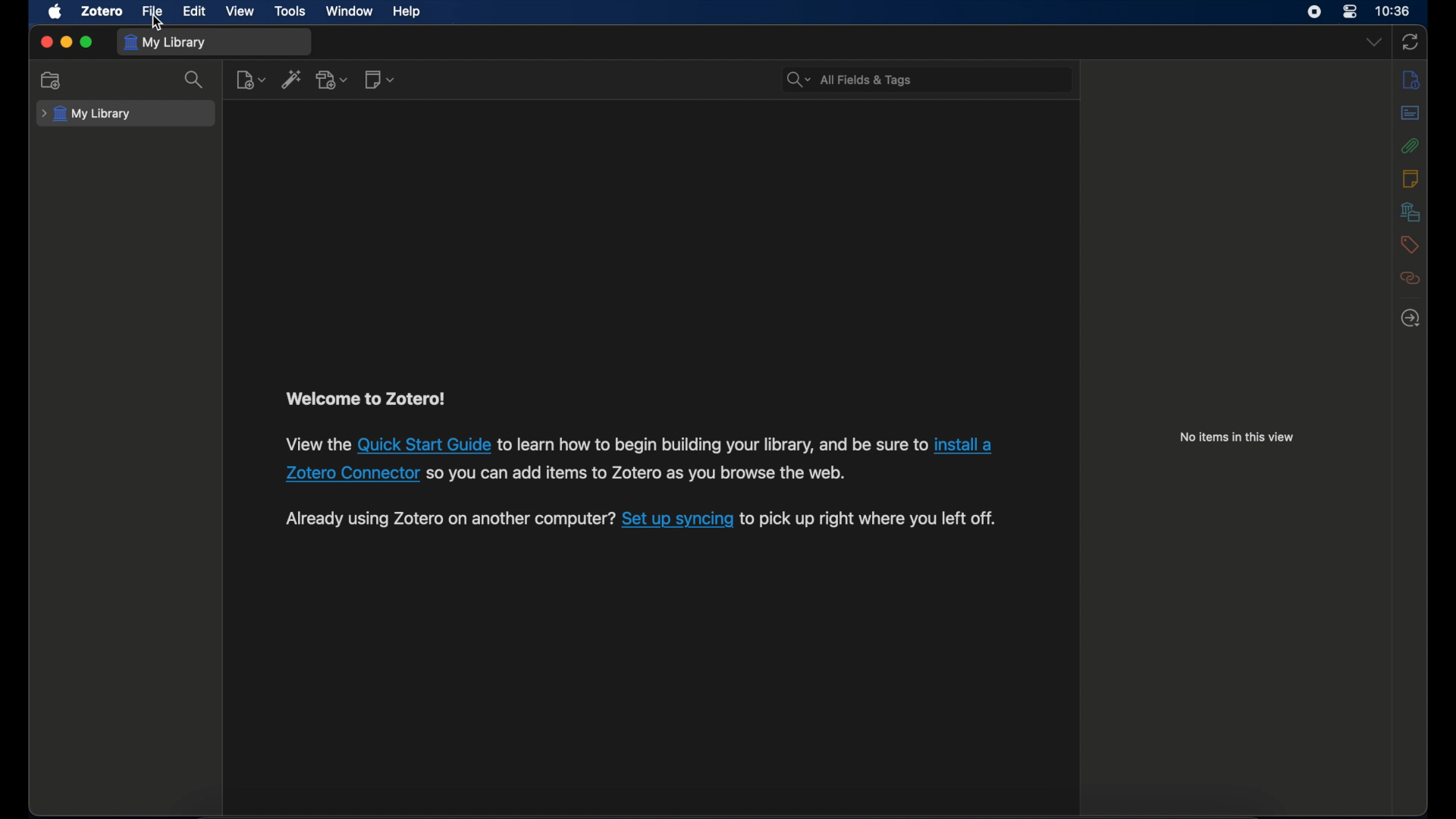 This screenshot has width=1456, height=819. Describe the element at coordinates (292, 79) in the screenshot. I see `add item by identifier` at that location.